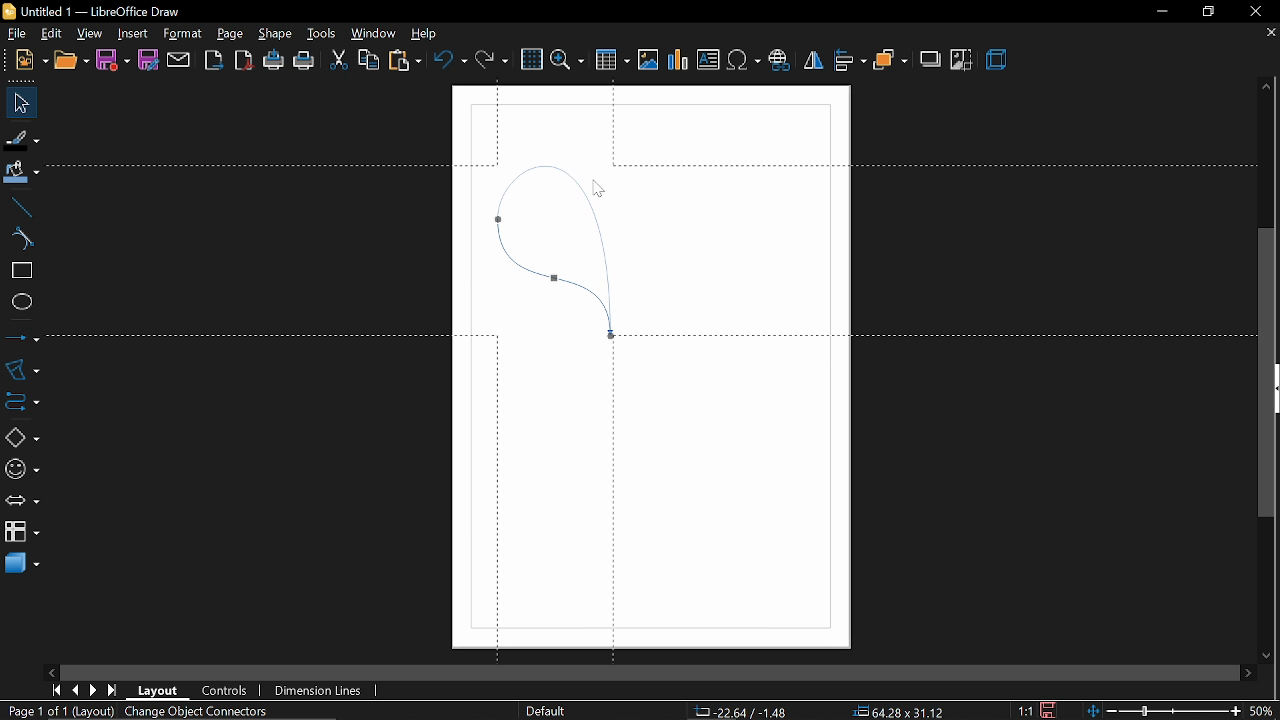  What do you see at coordinates (54, 691) in the screenshot?
I see `go to first page` at bounding box center [54, 691].